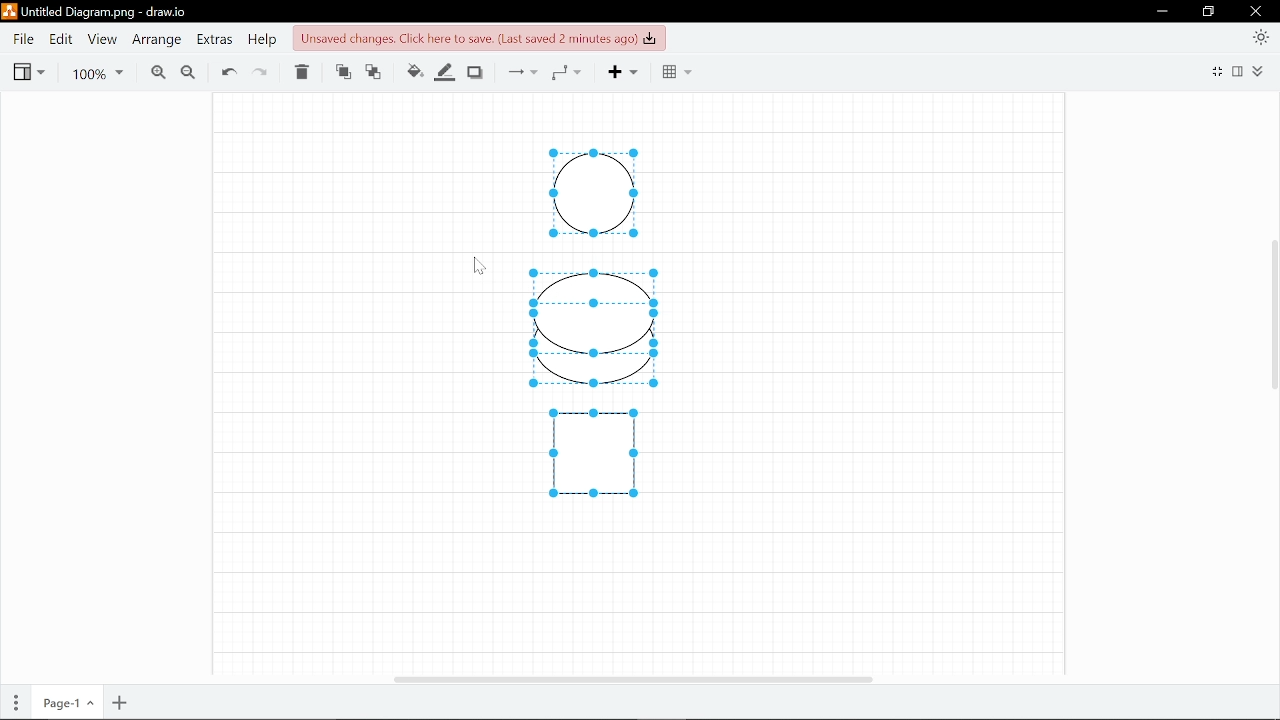  What do you see at coordinates (28, 70) in the screenshot?
I see `View` at bounding box center [28, 70].